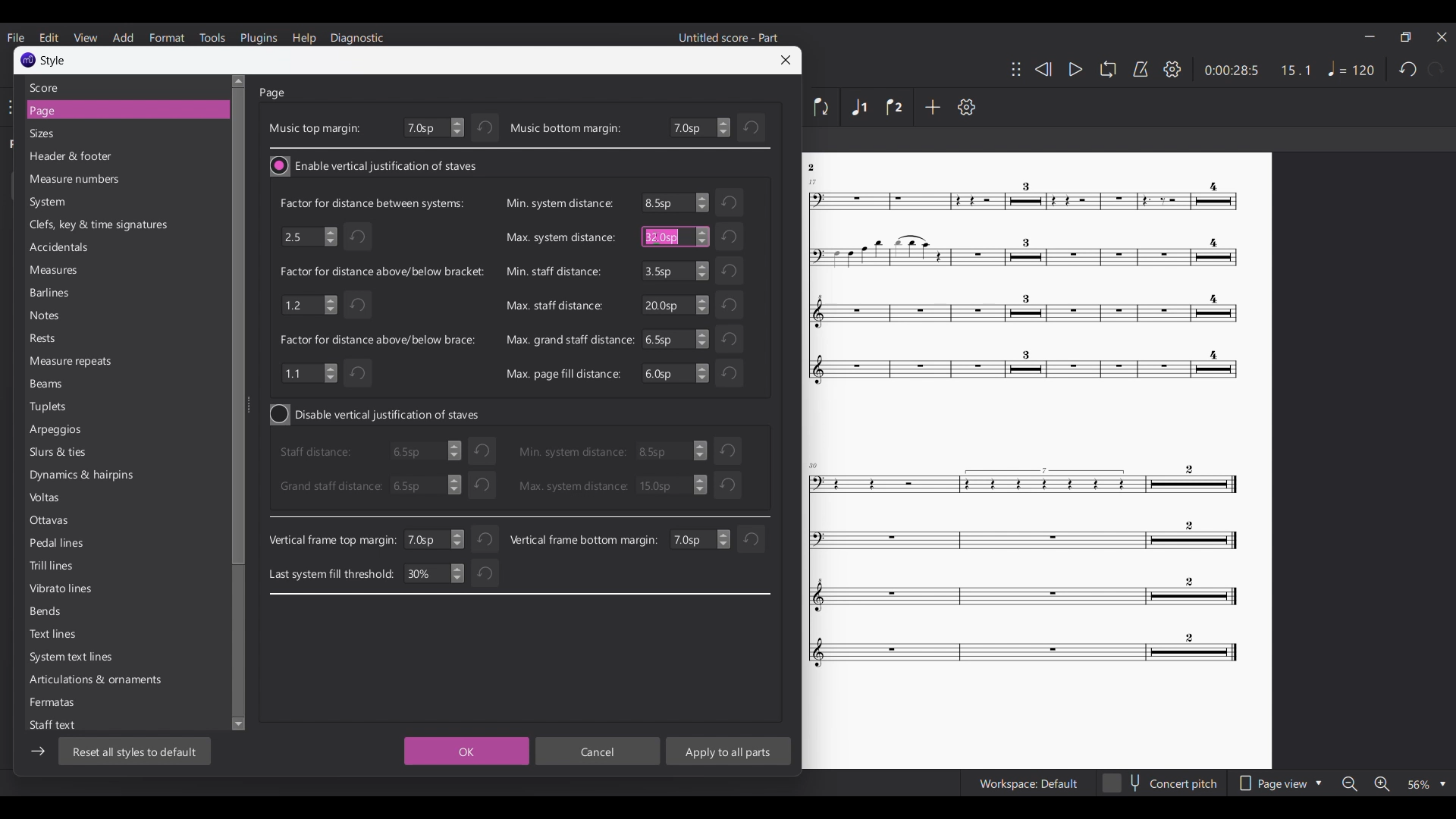 This screenshot has width=1456, height=819. What do you see at coordinates (119, 87) in the screenshot?
I see `Score` at bounding box center [119, 87].